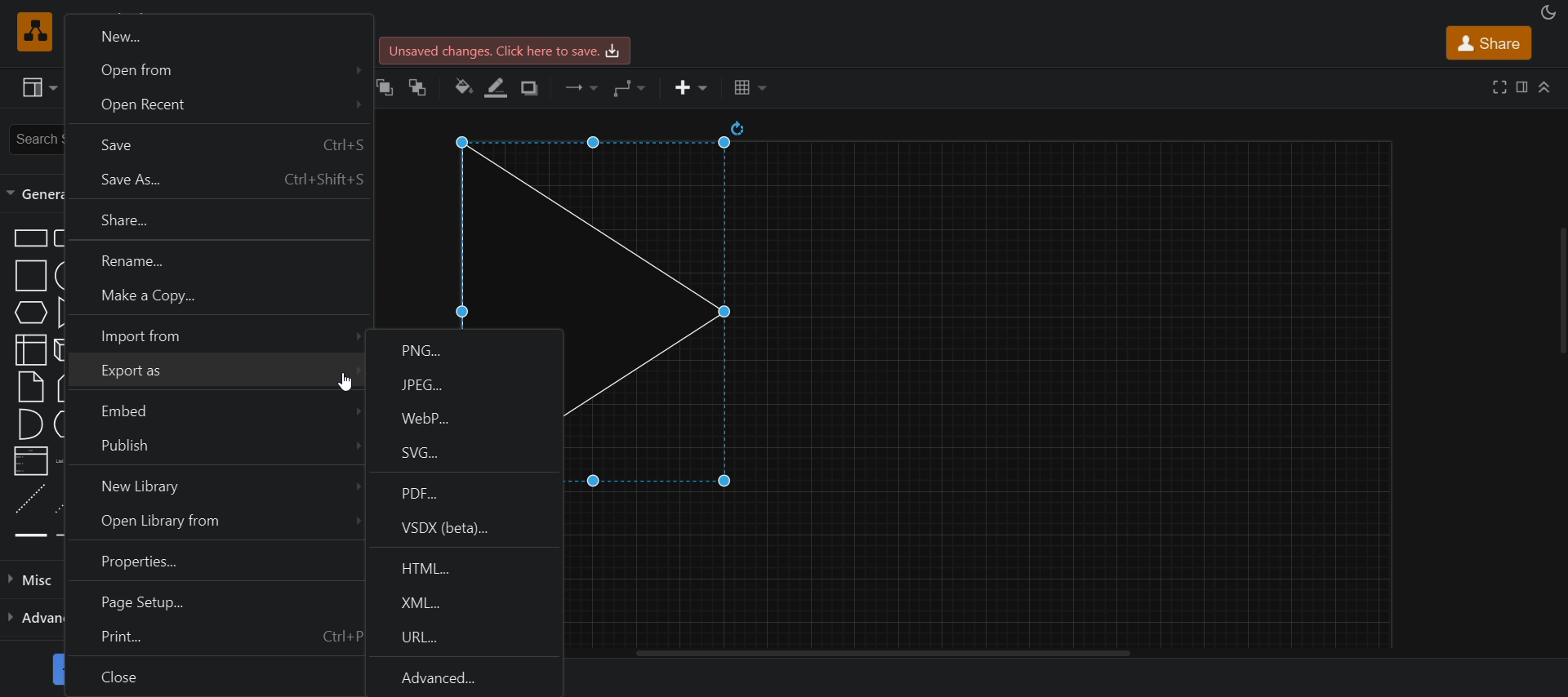 The image size is (1568, 697). What do you see at coordinates (32, 31) in the screenshot?
I see `logo` at bounding box center [32, 31].